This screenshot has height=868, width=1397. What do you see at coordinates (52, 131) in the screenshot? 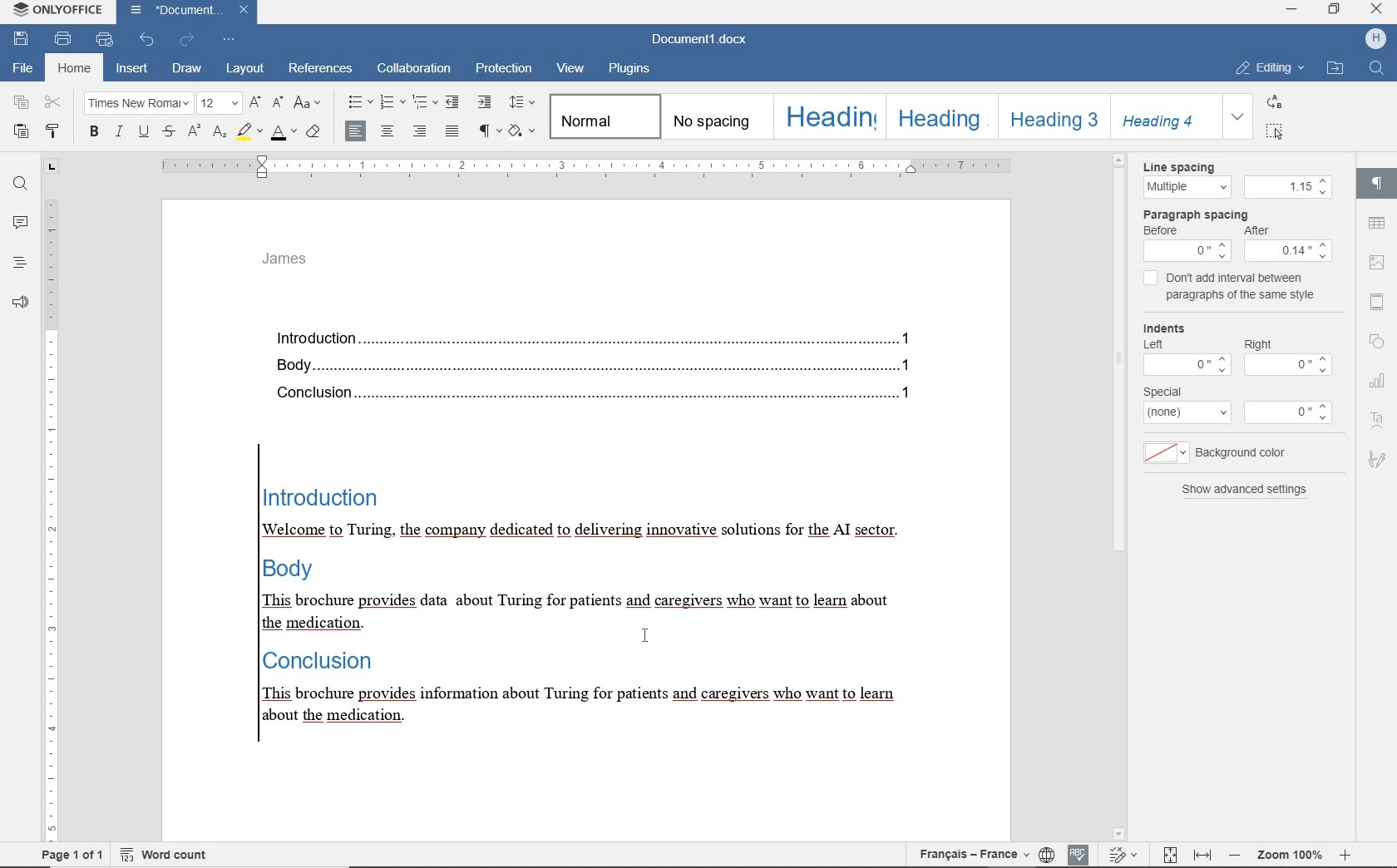
I see `copy style` at bounding box center [52, 131].